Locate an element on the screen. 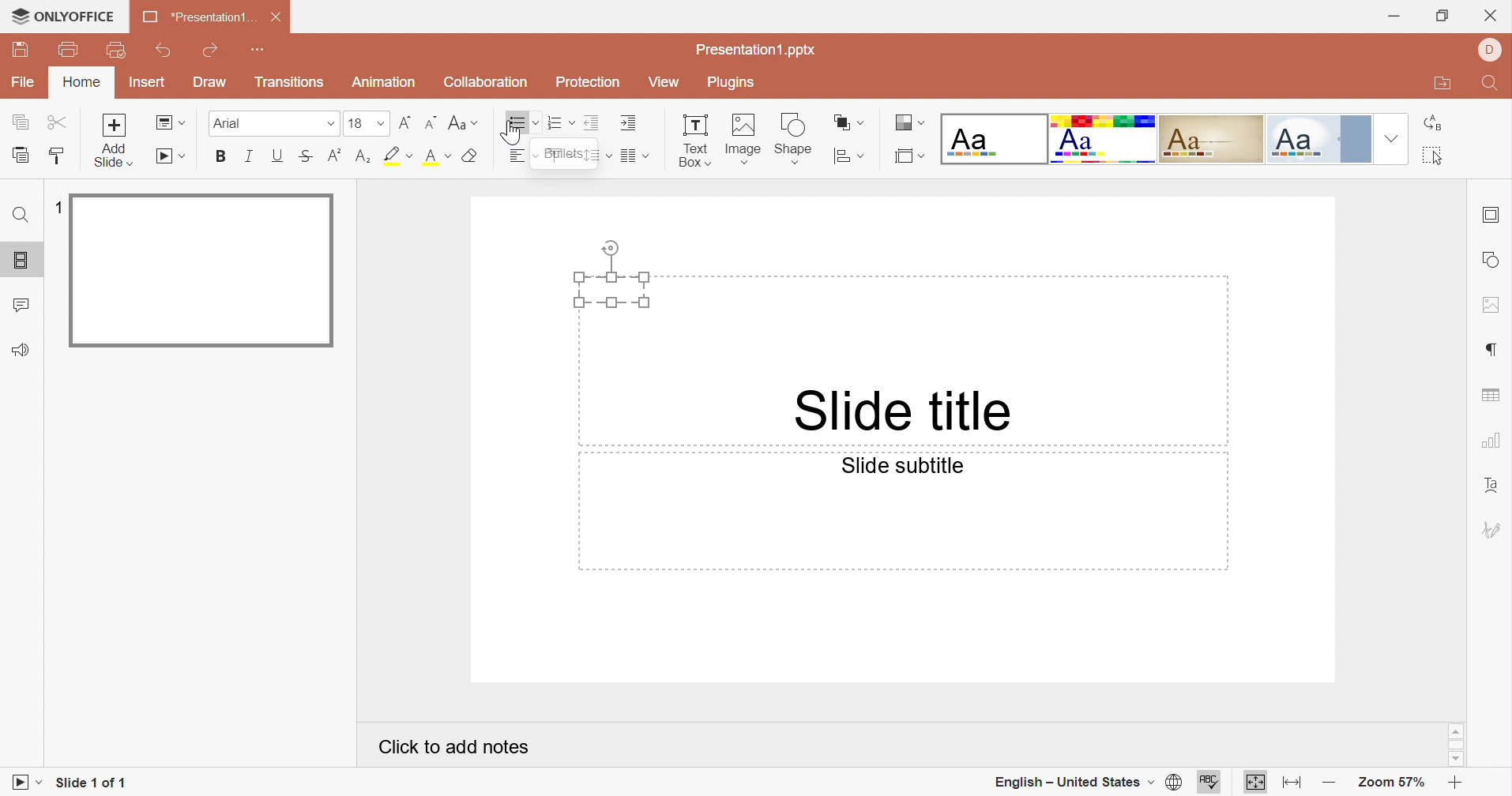  Copy is located at coordinates (21, 123).